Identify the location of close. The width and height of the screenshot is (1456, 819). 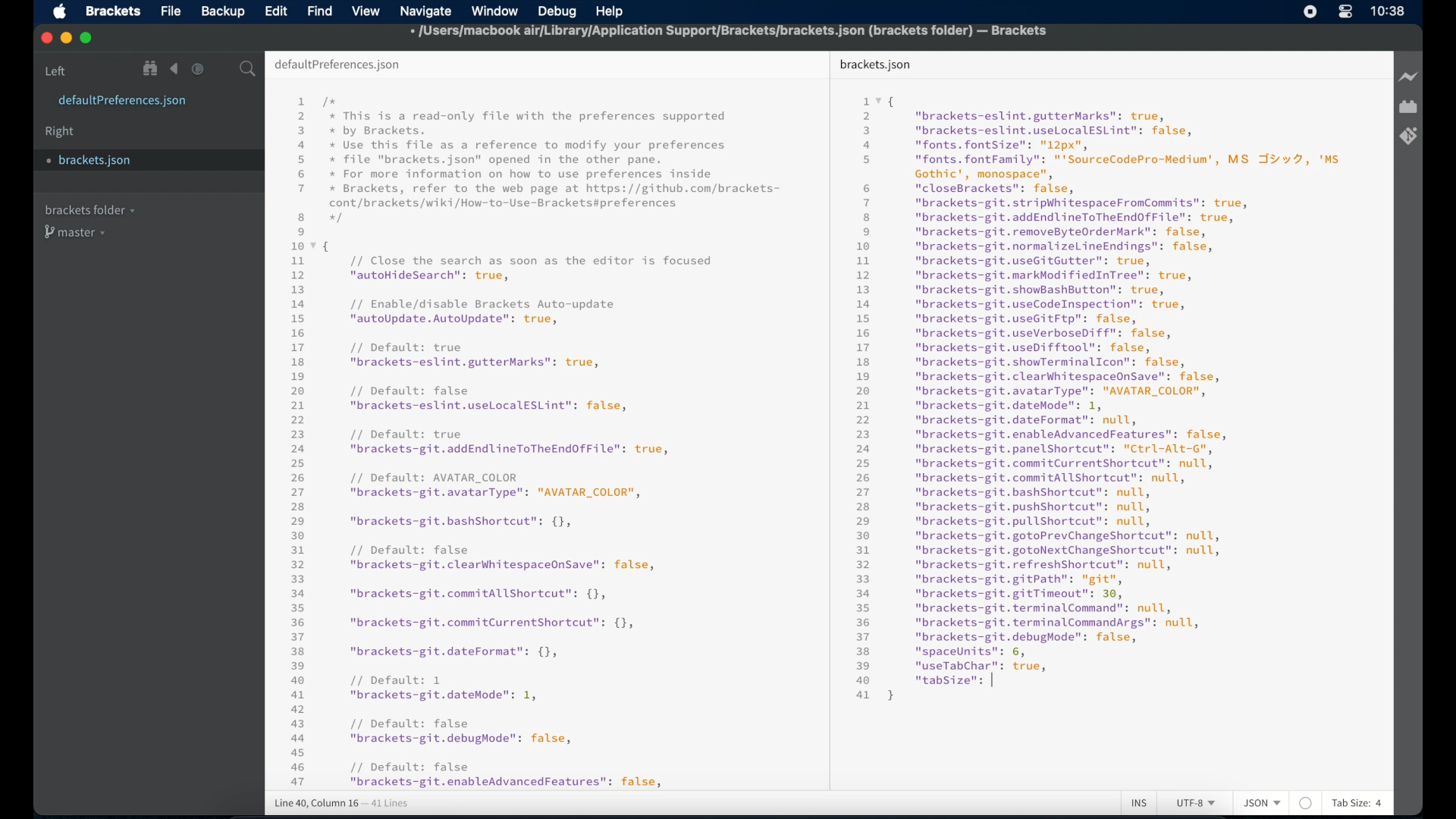
(47, 39).